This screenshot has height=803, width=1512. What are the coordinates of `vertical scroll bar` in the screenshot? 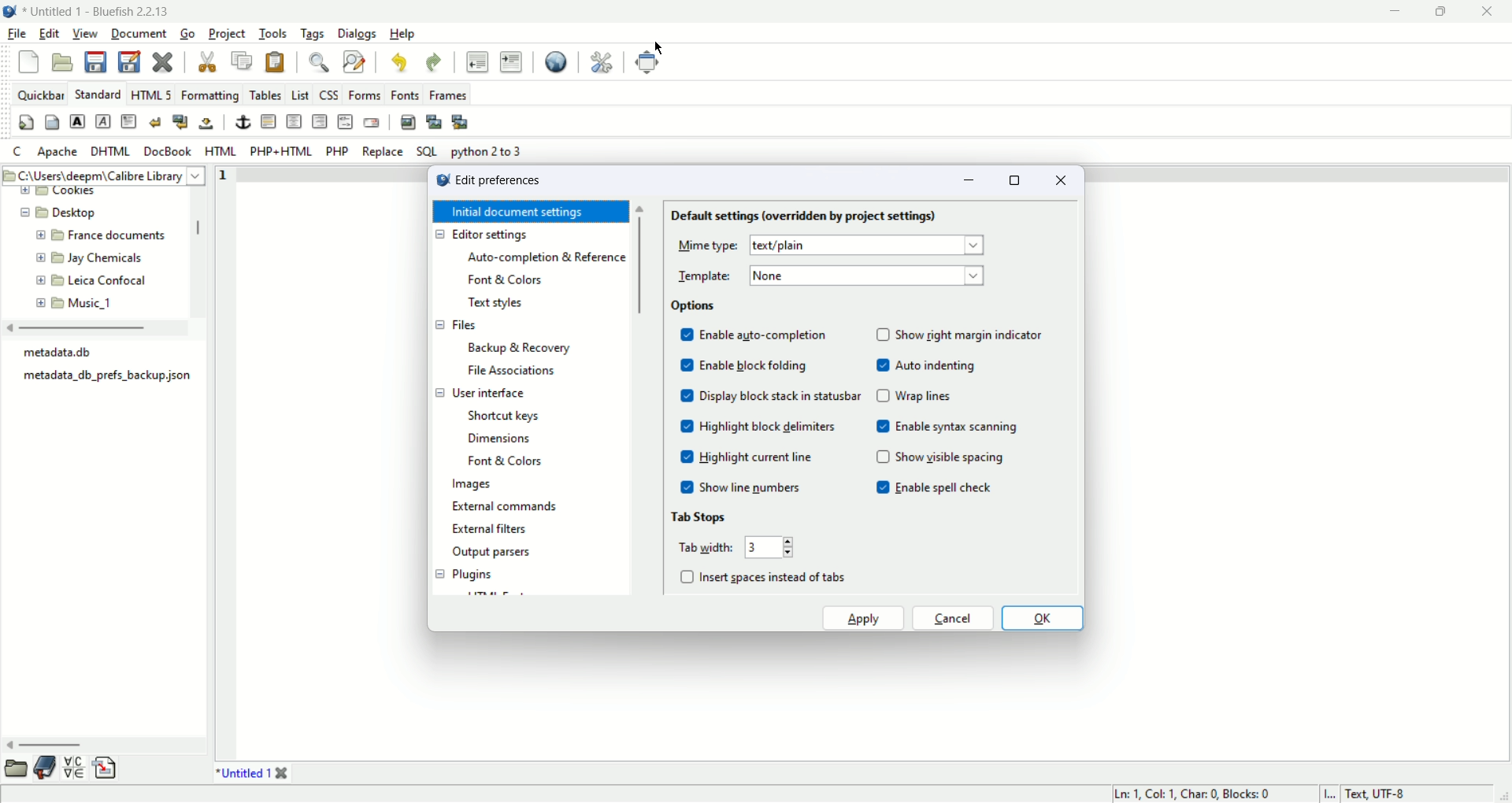 It's located at (641, 262).